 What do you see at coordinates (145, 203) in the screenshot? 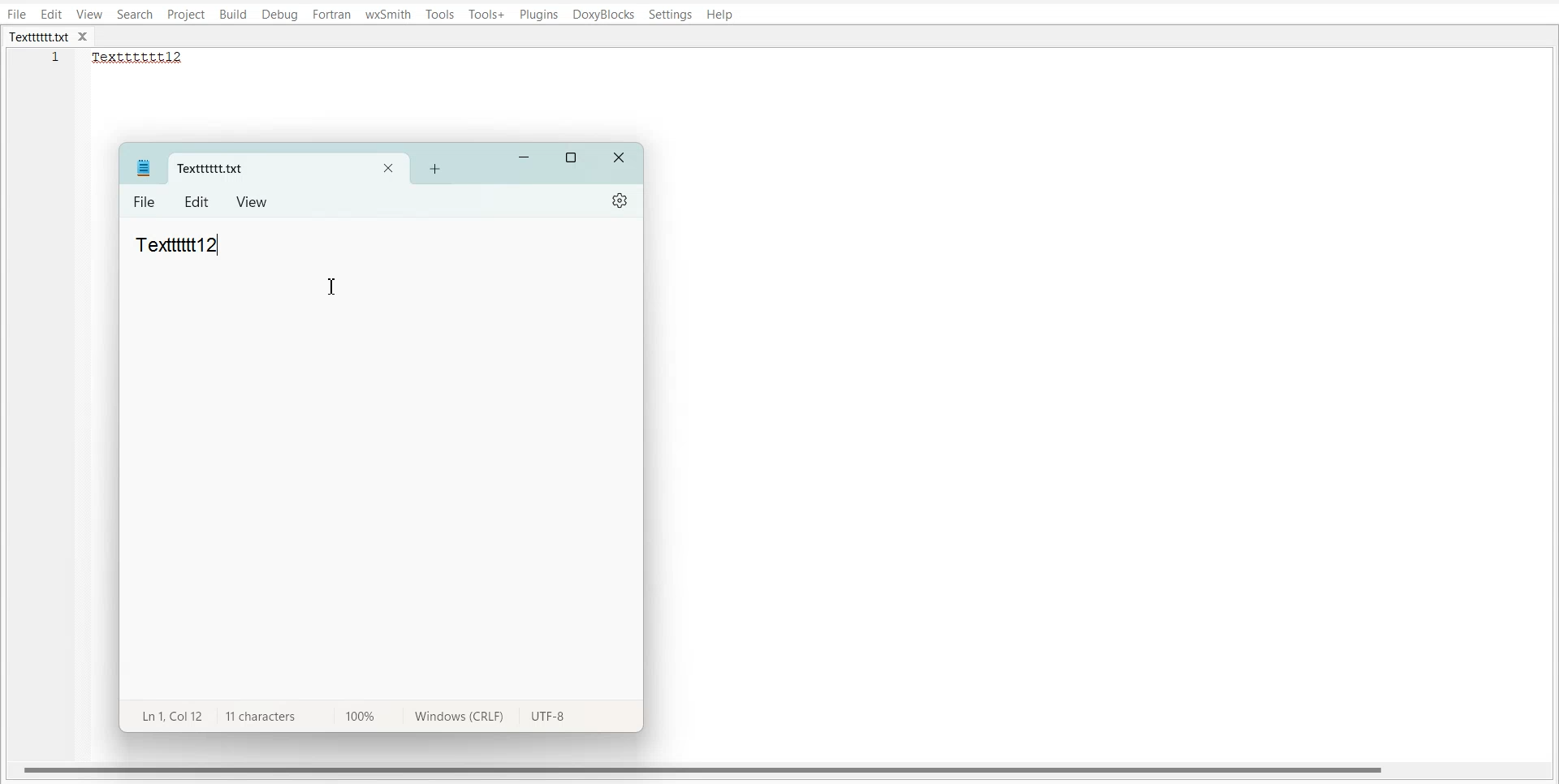
I see `File` at bounding box center [145, 203].